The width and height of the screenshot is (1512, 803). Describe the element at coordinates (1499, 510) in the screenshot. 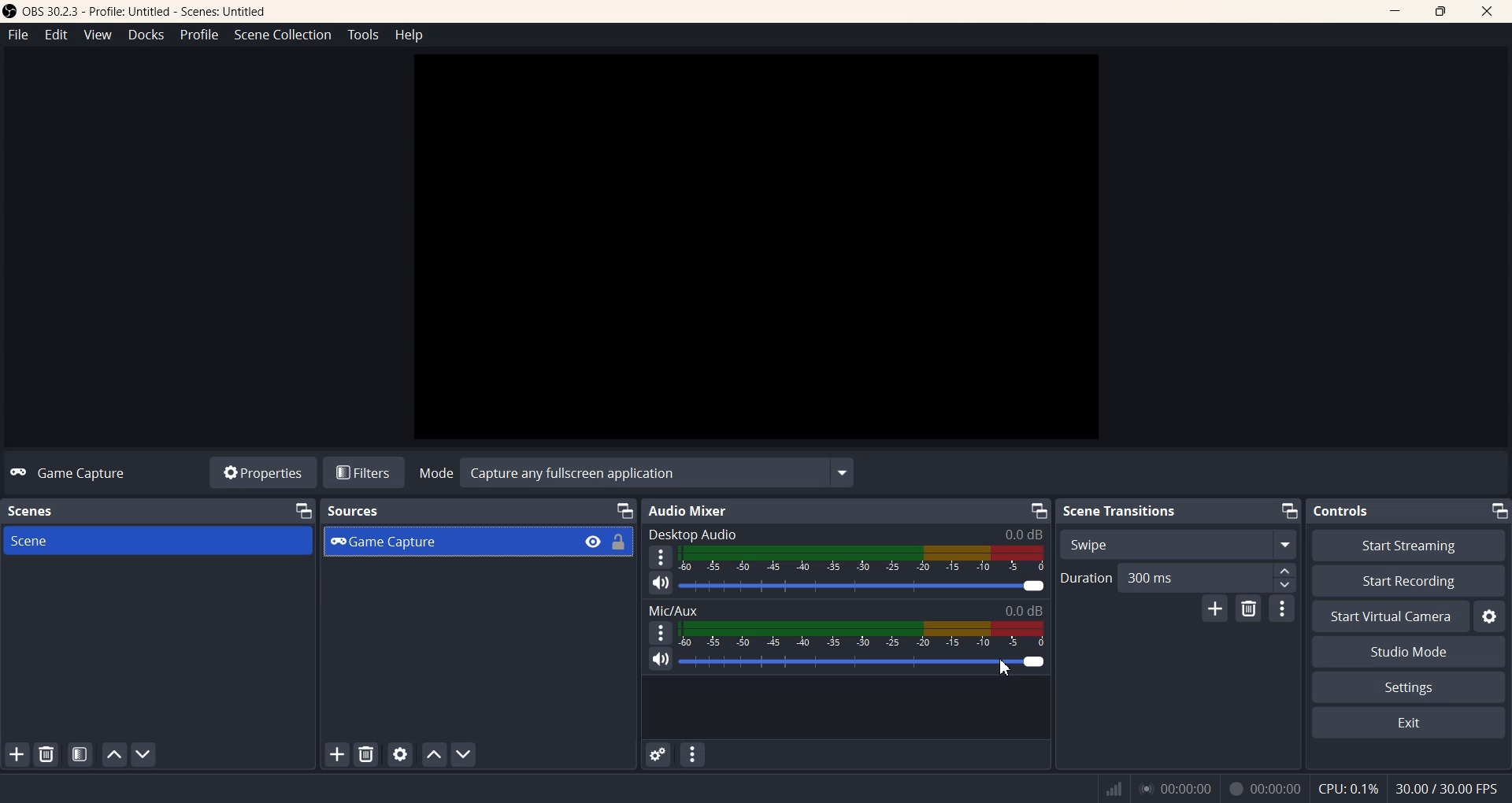

I see `Minimize` at that location.